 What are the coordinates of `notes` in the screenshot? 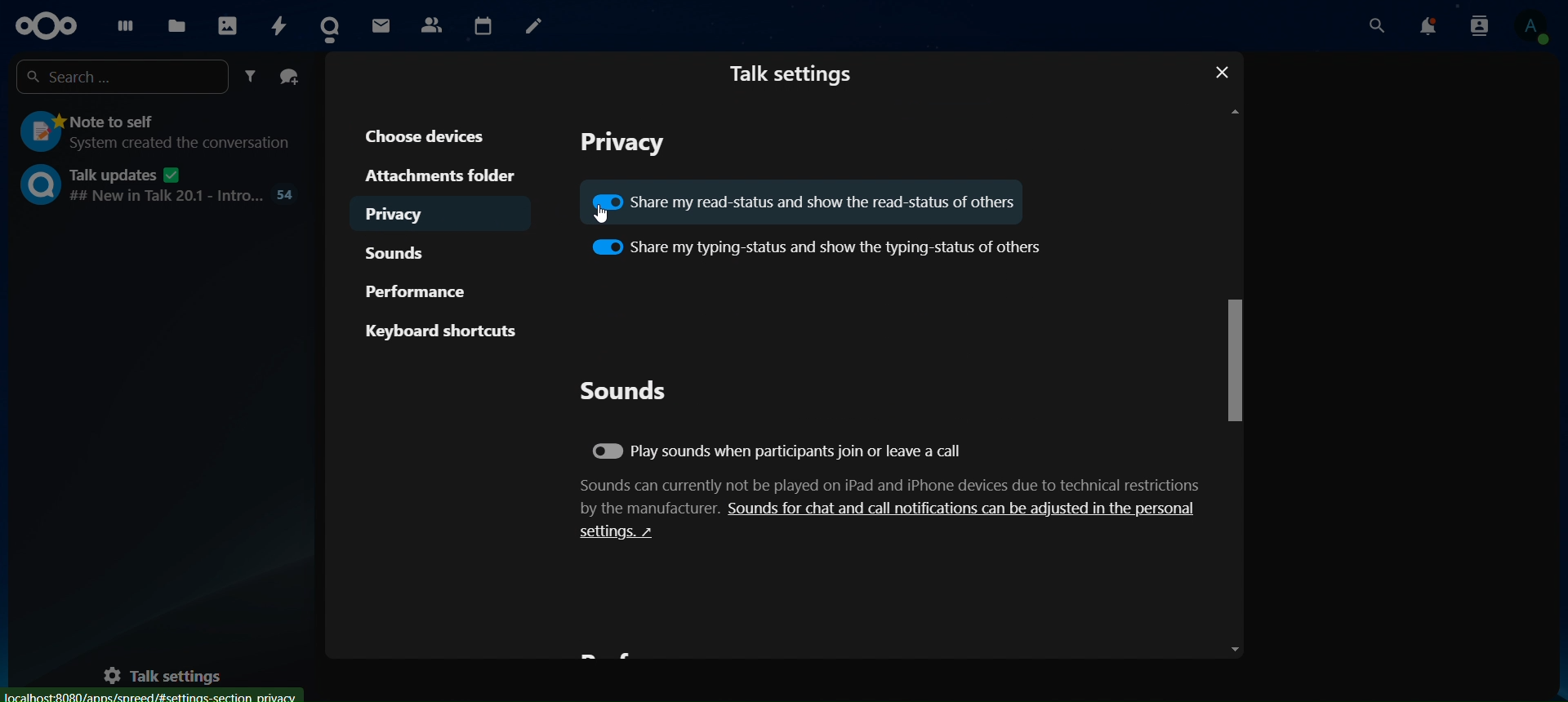 It's located at (532, 26).